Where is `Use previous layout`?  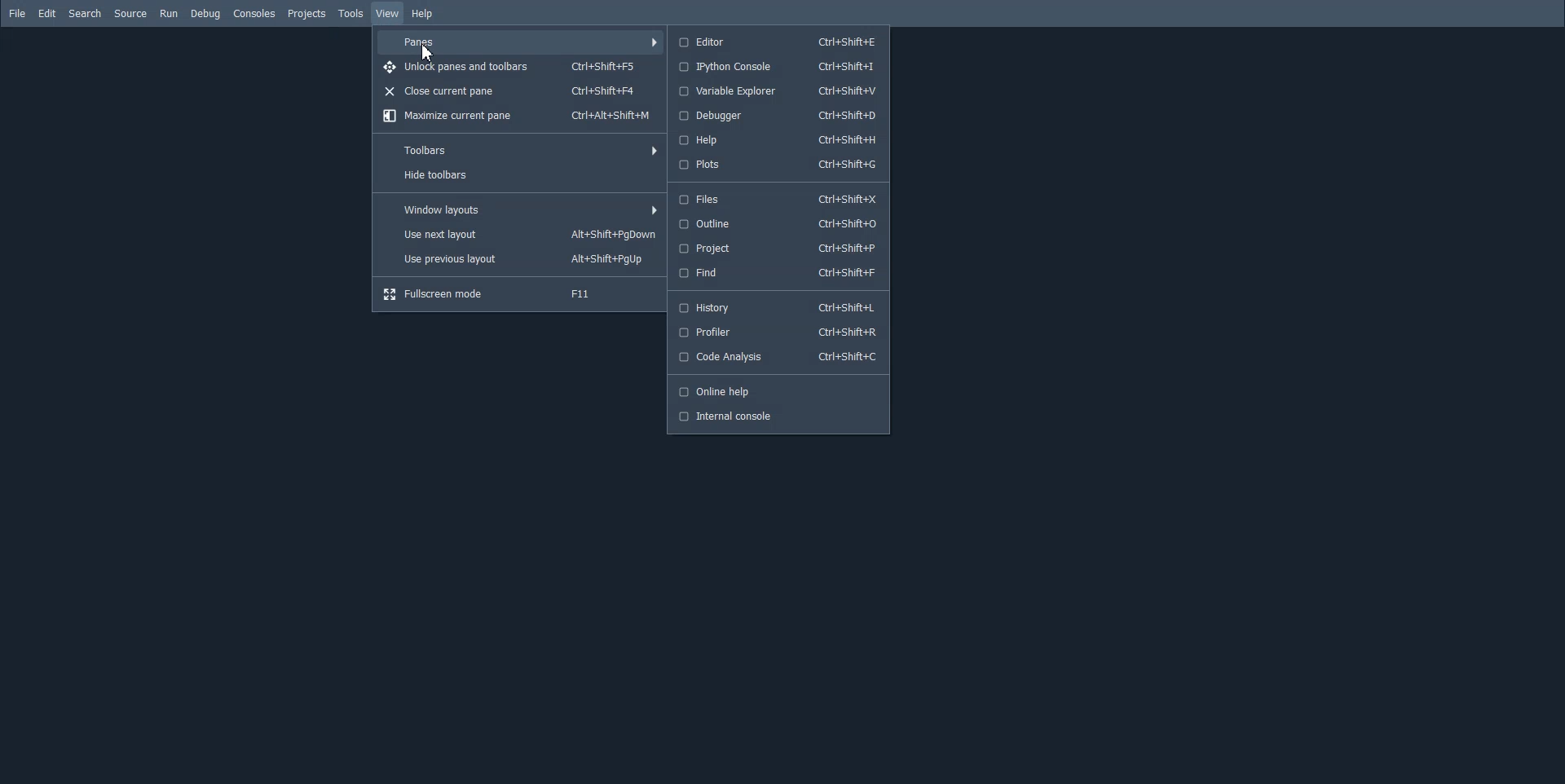
Use previous layout is located at coordinates (521, 258).